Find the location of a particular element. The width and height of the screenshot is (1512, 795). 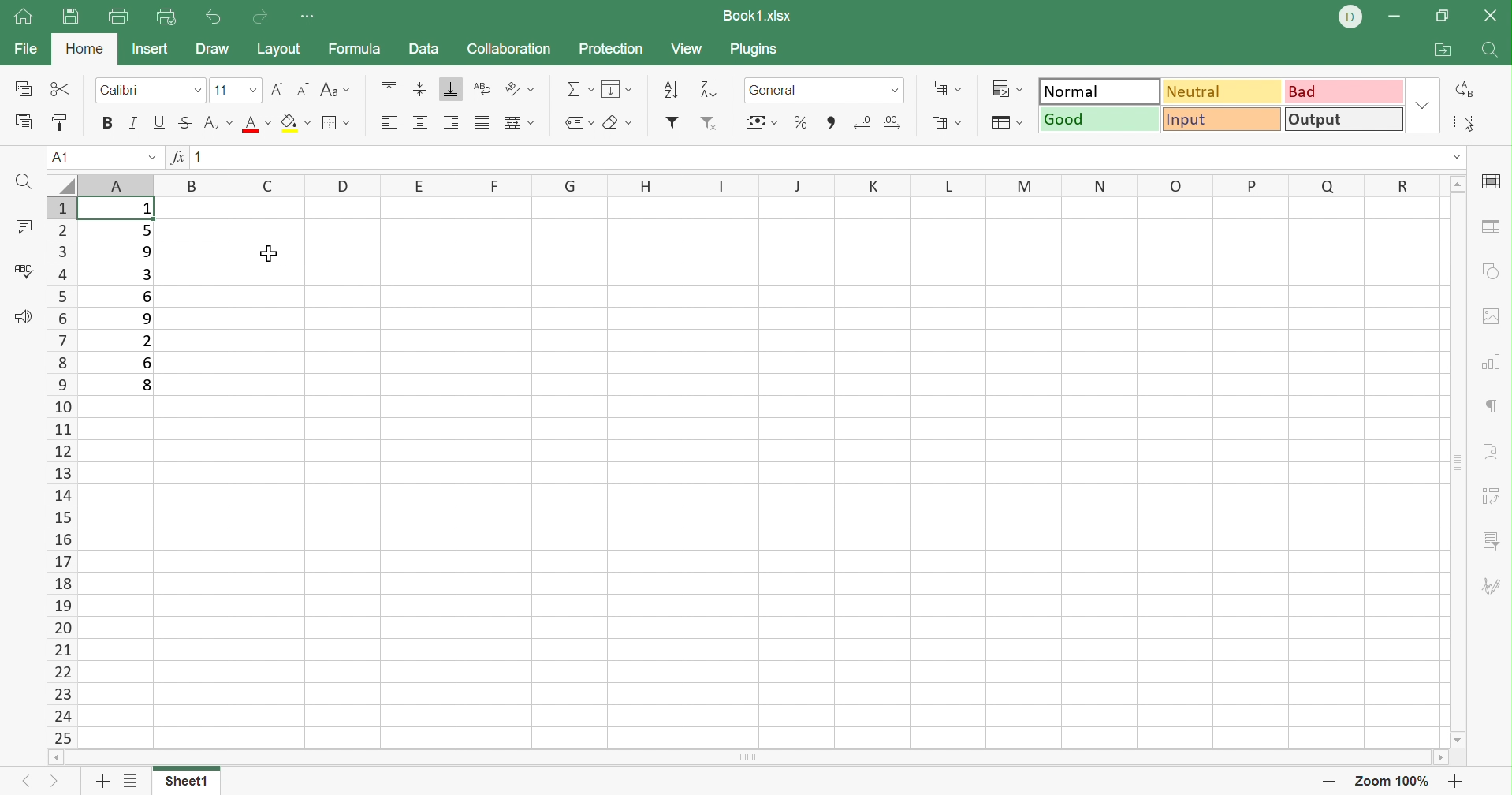

Protection is located at coordinates (611, 50).